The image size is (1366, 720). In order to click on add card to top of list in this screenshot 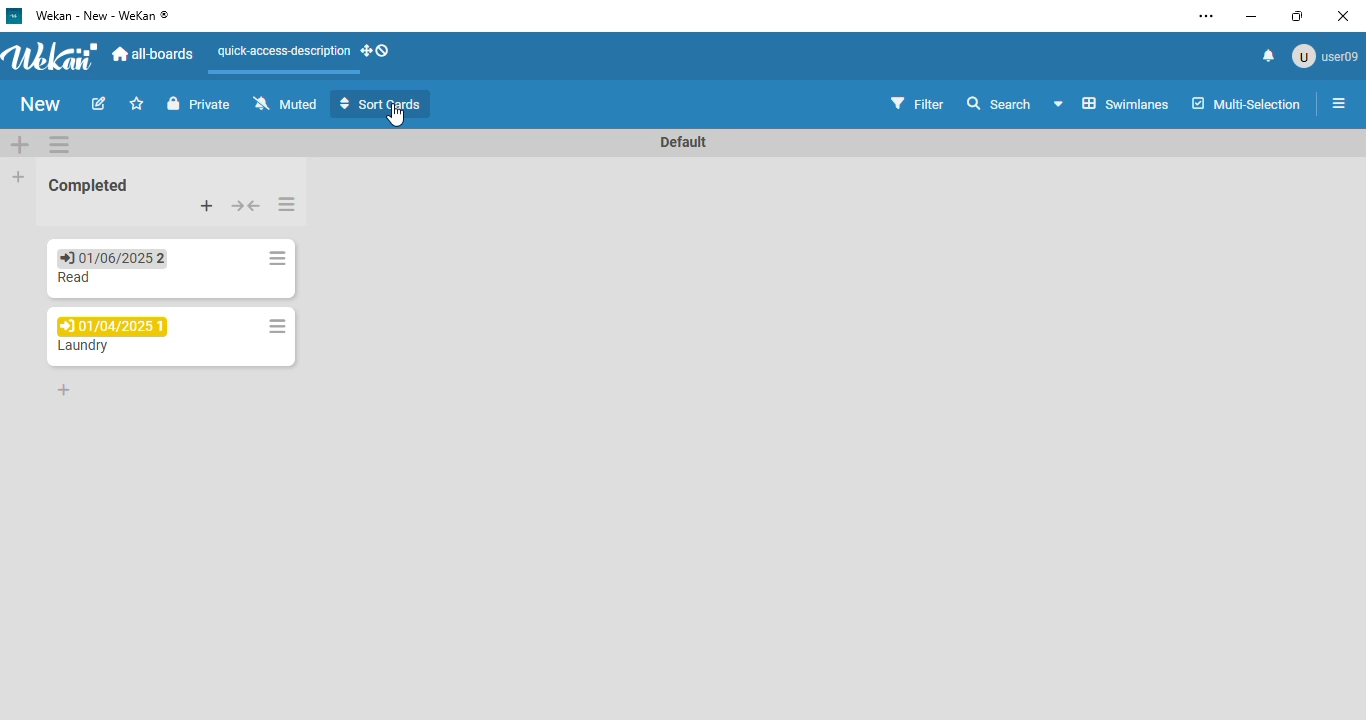, I will do `click(207, 205)`.